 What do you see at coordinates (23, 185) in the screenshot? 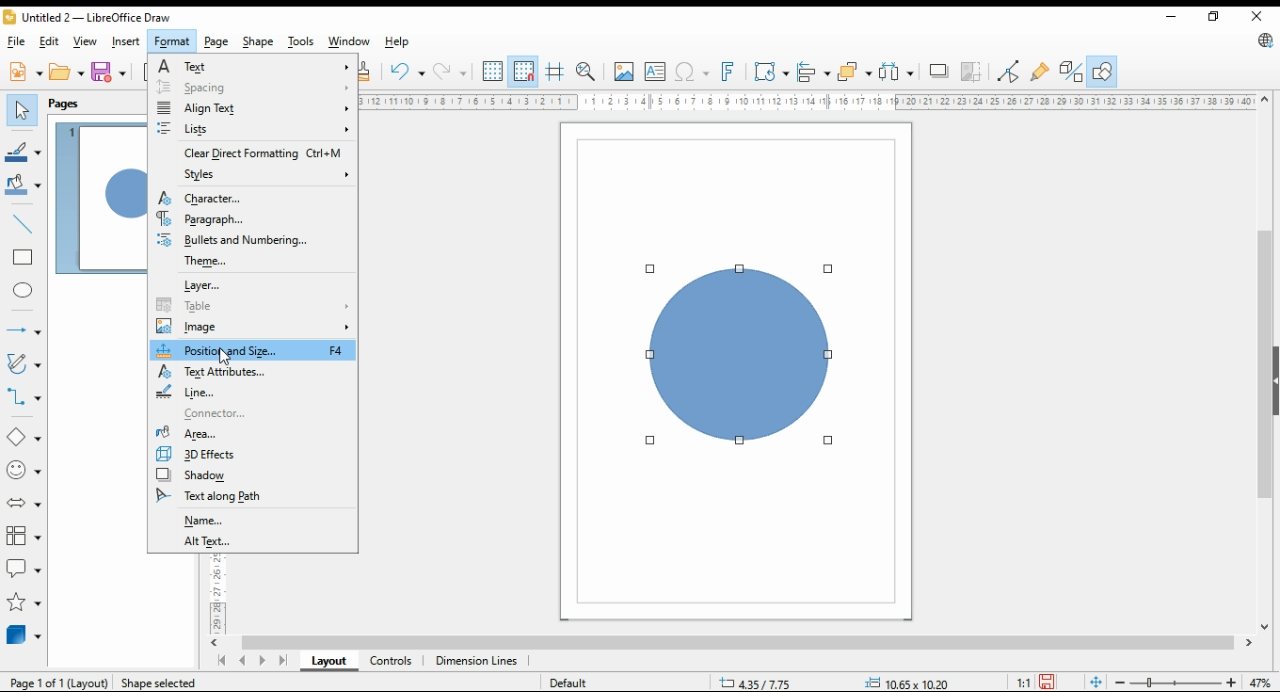
I see `fill color` at bounding box center [23, 185].